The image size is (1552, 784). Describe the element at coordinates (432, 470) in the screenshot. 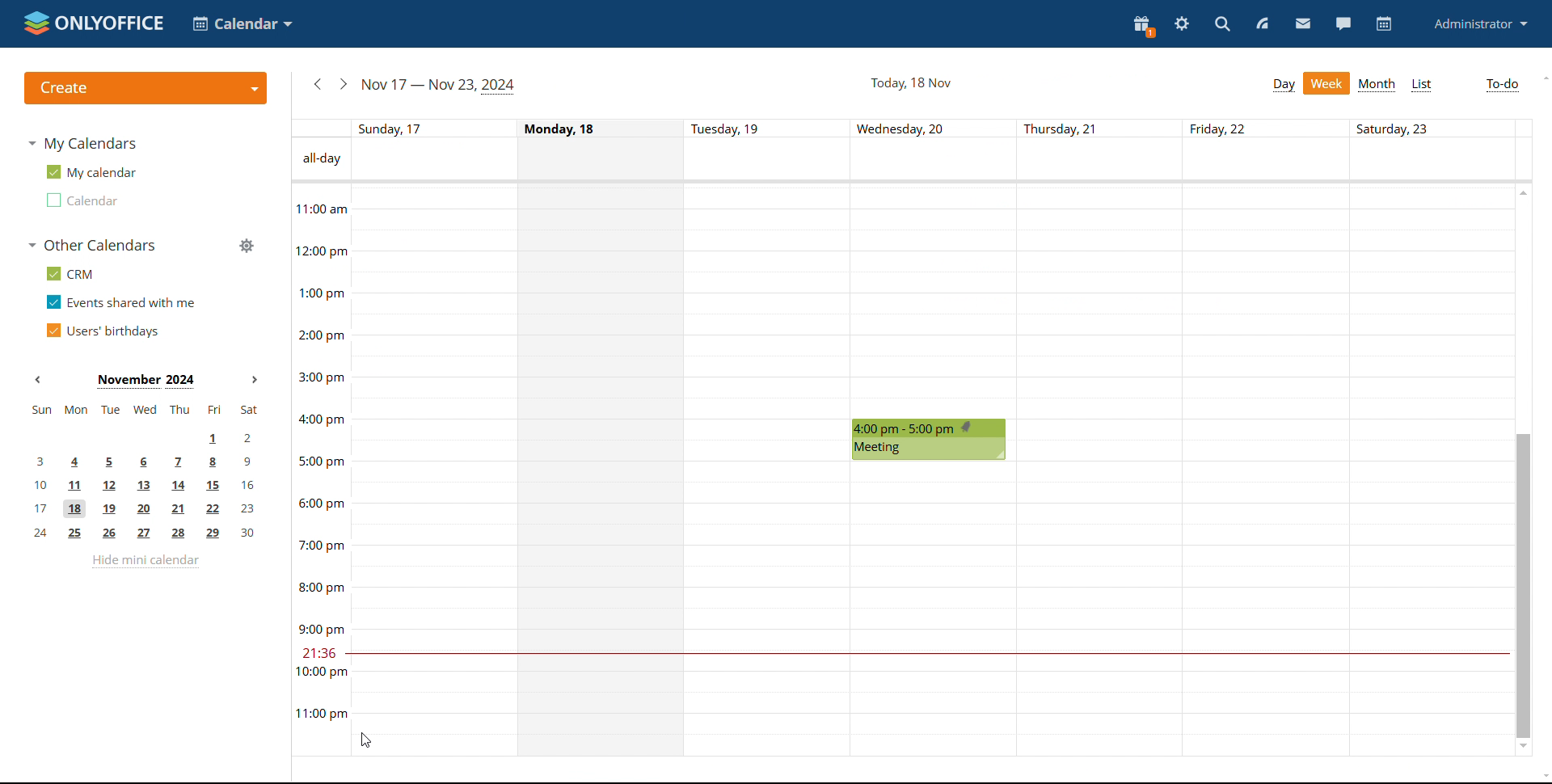

I see `Sunday` at that location.